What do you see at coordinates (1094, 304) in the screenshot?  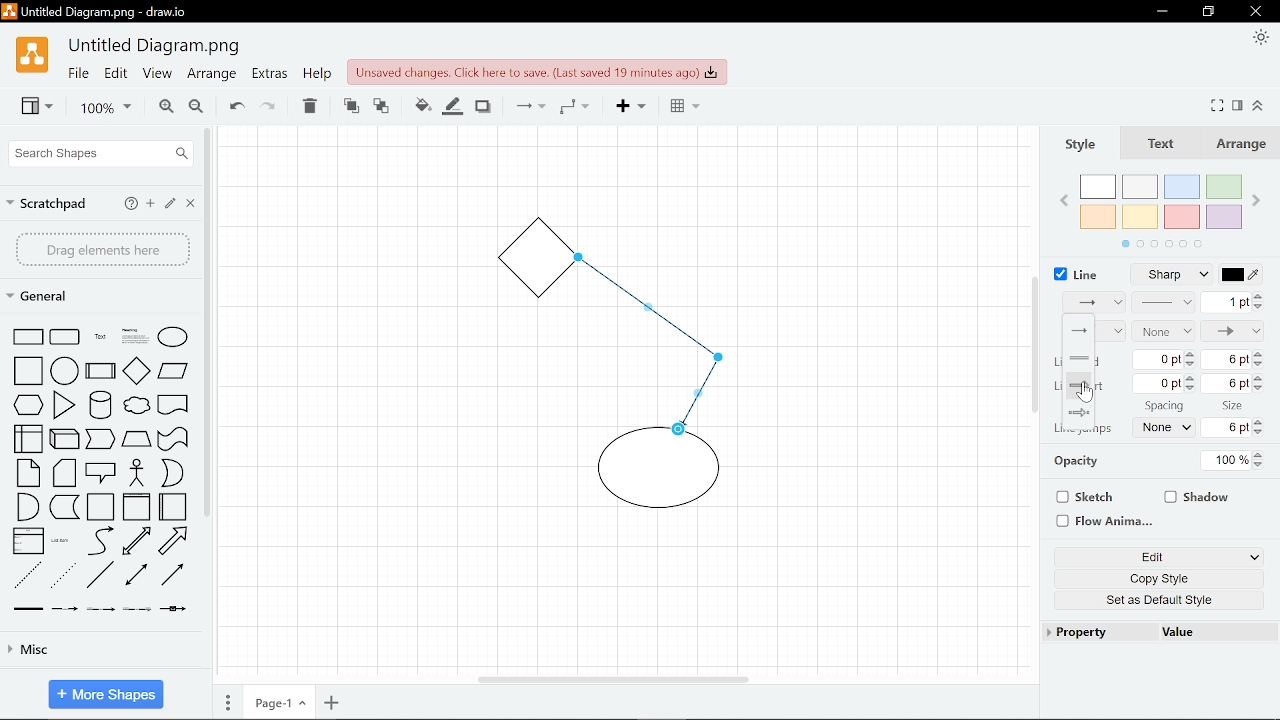 I see `pattern` at bounding box center [1094, 304].